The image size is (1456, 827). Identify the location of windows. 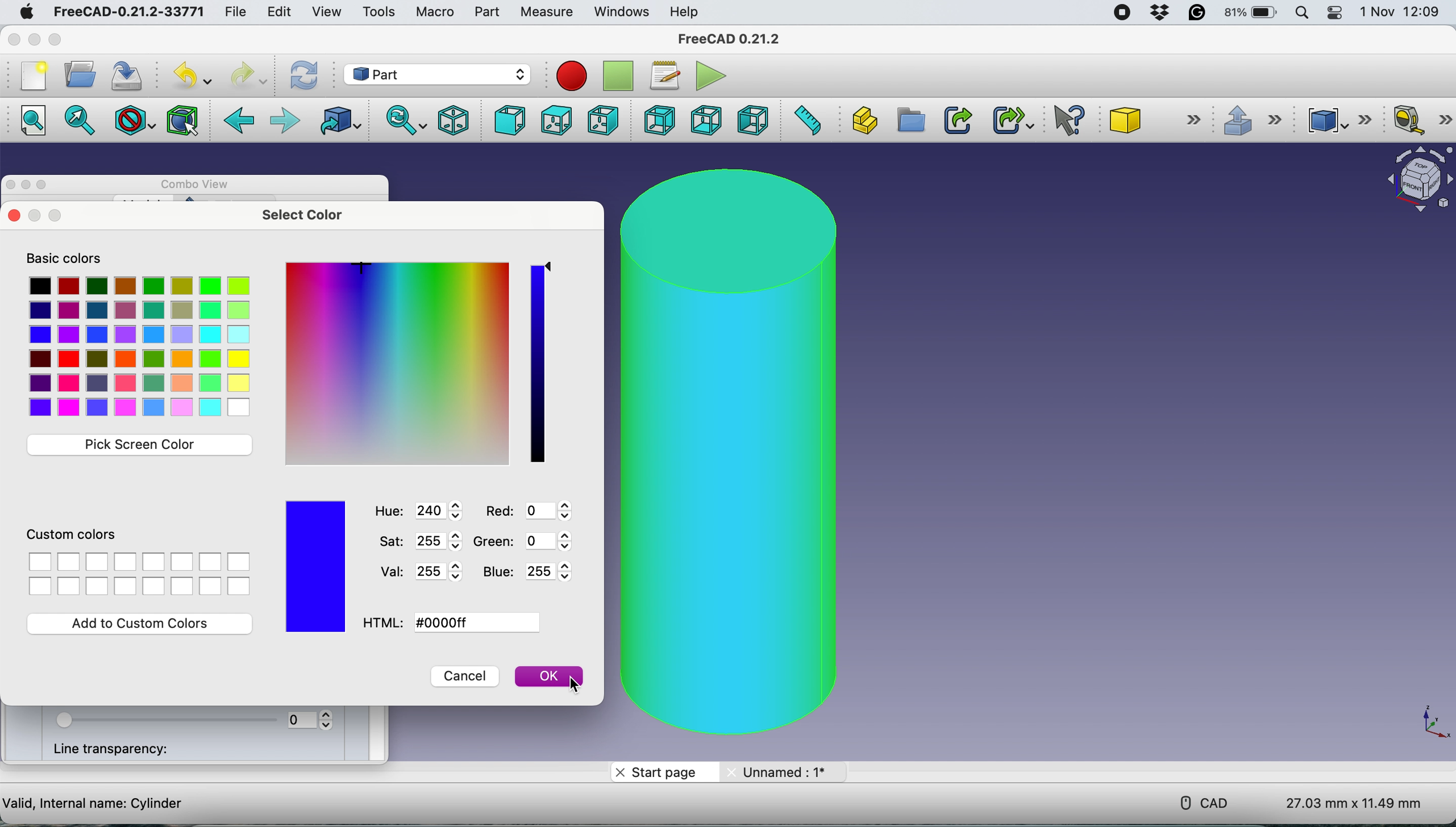
(623, 14).